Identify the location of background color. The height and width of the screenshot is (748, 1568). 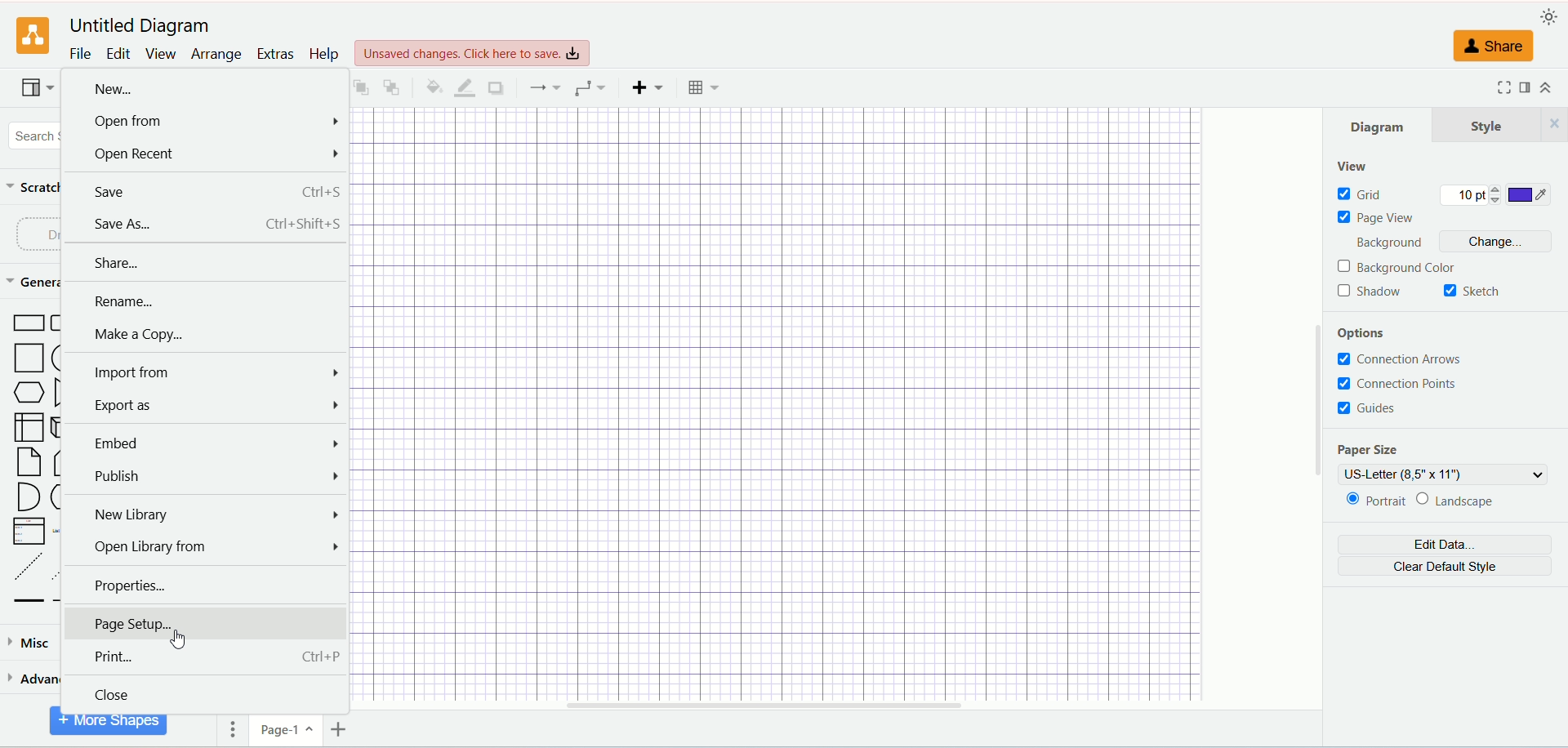
(1399, 268).